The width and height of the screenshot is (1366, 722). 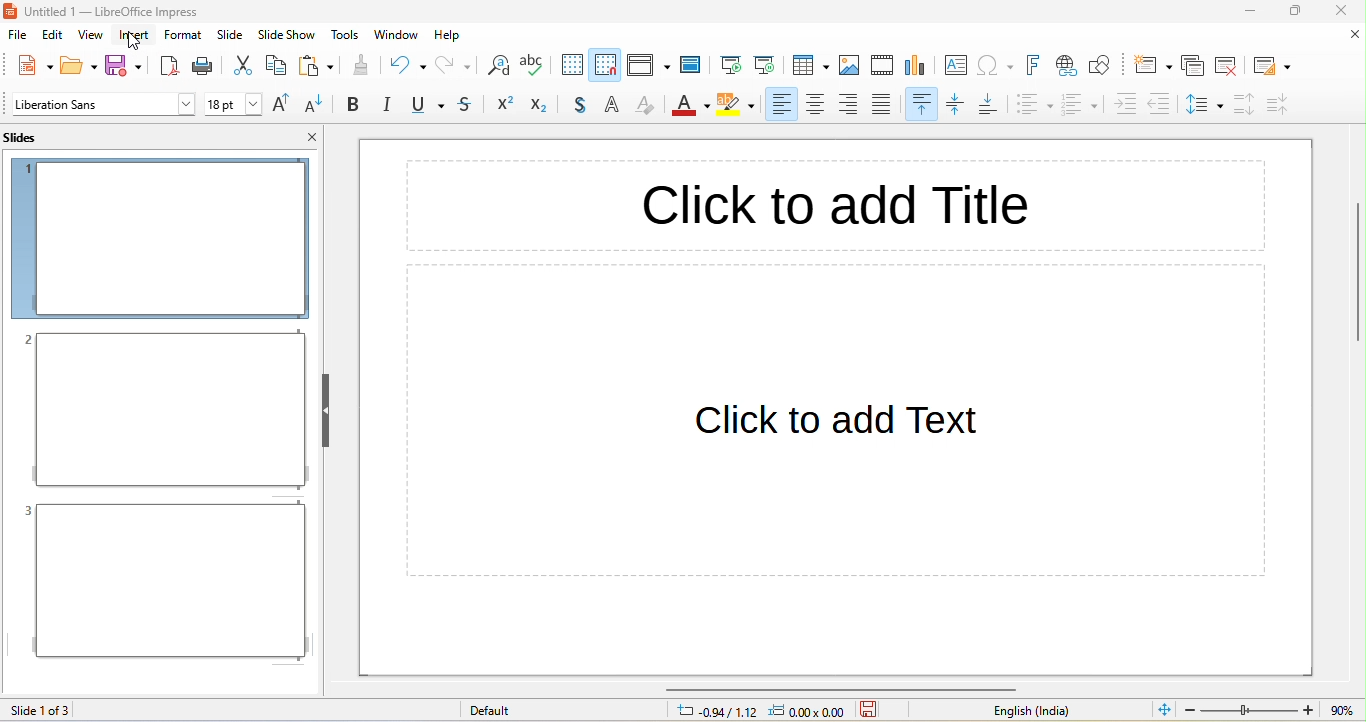 I want to click on cut, so click(x=242, y=65).